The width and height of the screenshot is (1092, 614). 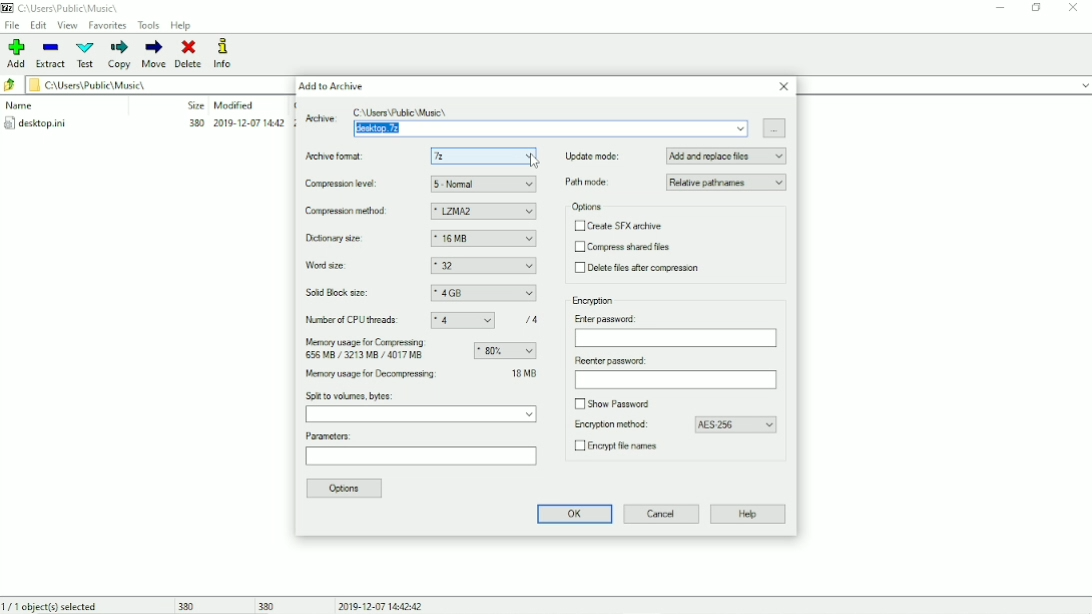 I want to click on Copy, so click(x=120, y=54).